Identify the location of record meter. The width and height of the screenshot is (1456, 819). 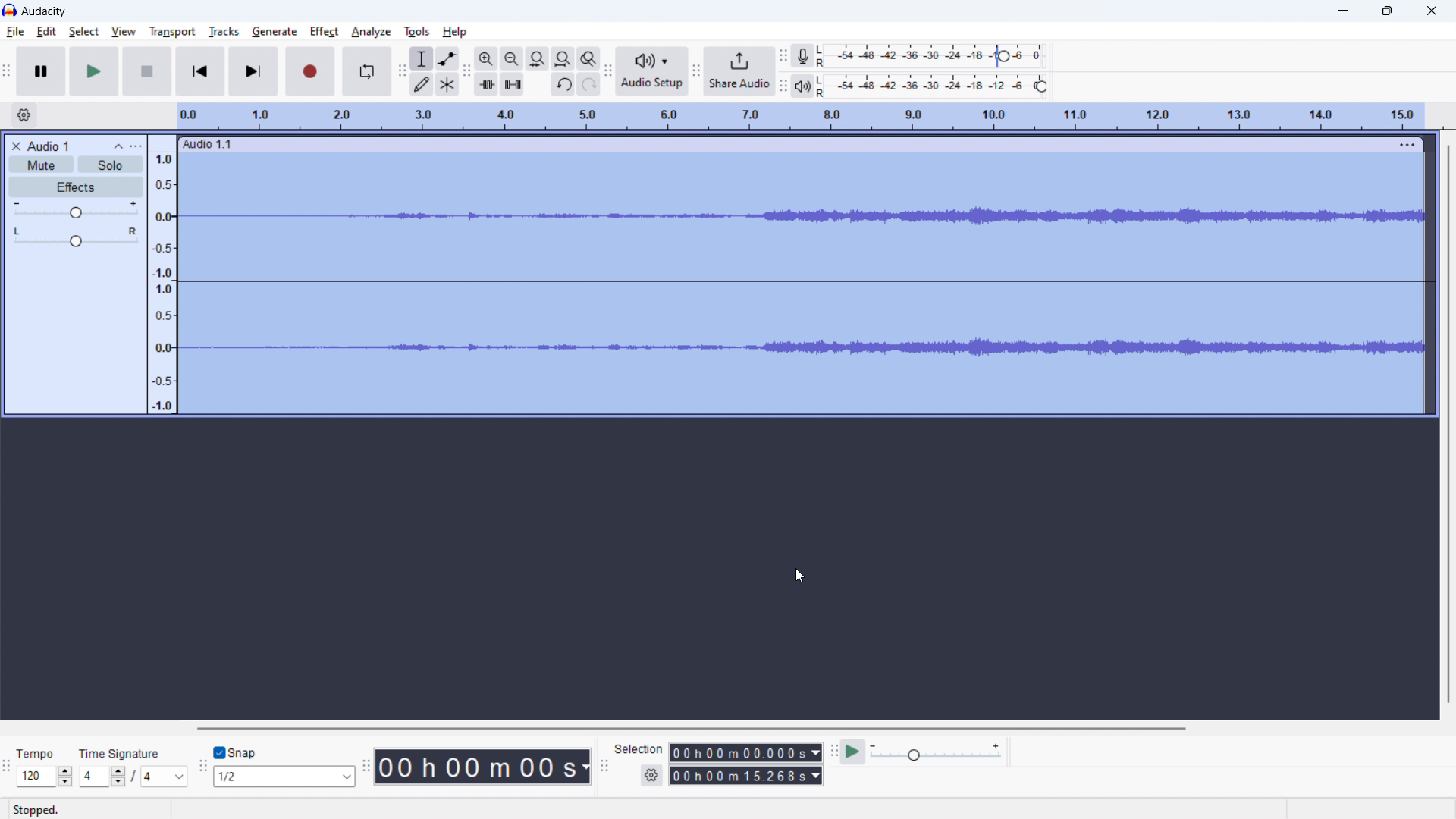
(935, 55).